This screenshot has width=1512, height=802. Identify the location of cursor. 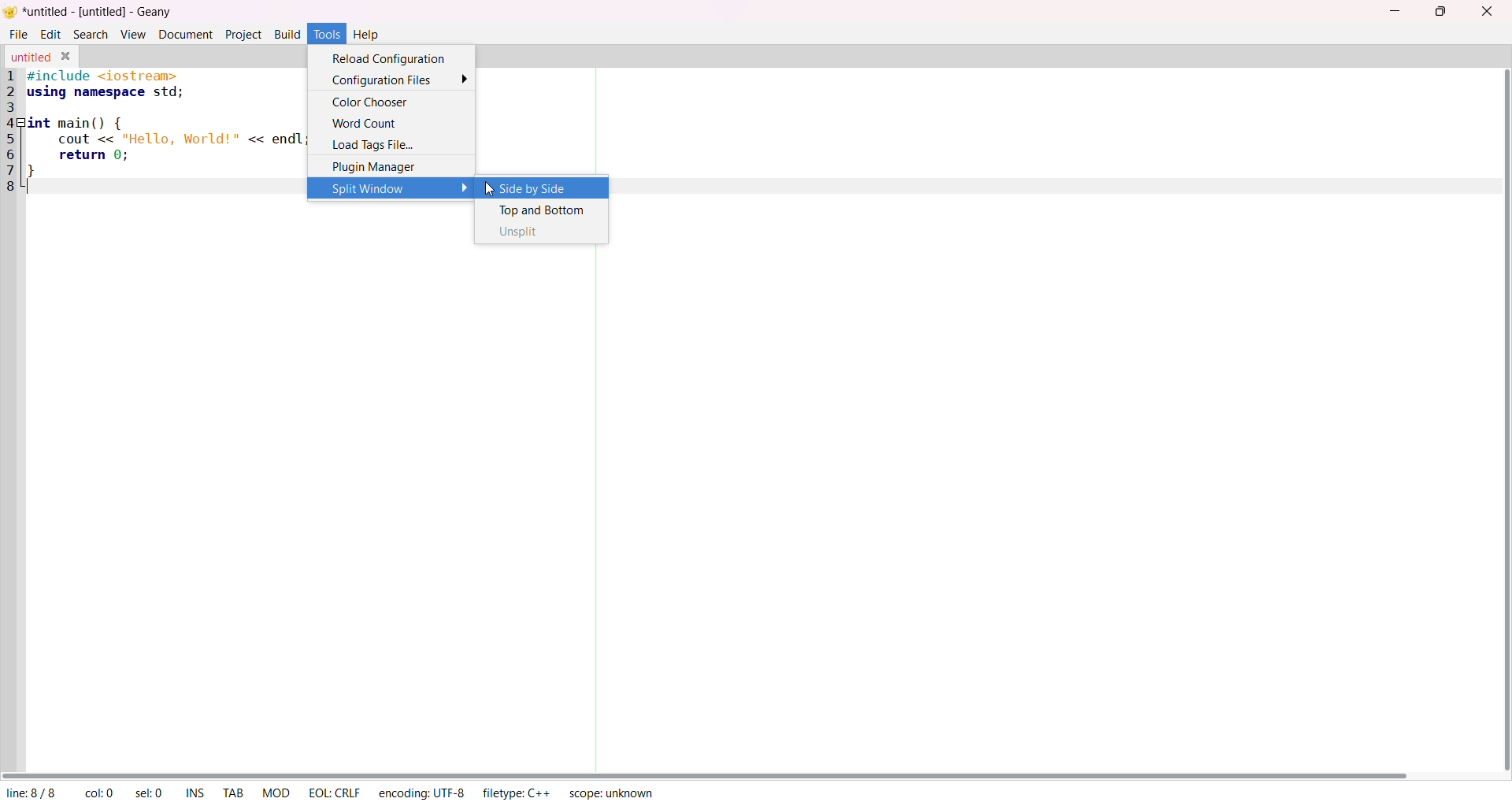
(490, 191).